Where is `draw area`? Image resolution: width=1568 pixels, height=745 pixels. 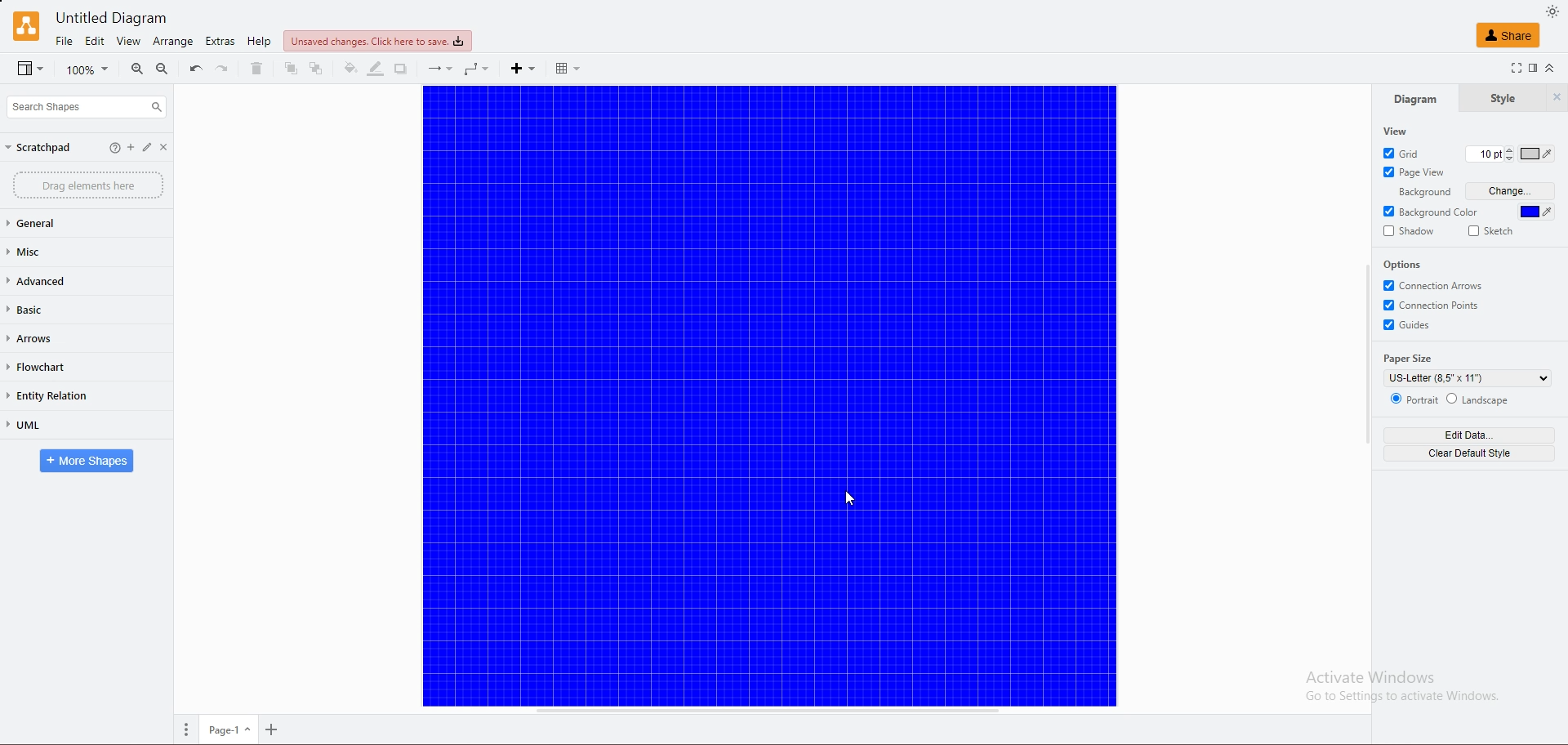
draw area is located at coordinates (769, 396).